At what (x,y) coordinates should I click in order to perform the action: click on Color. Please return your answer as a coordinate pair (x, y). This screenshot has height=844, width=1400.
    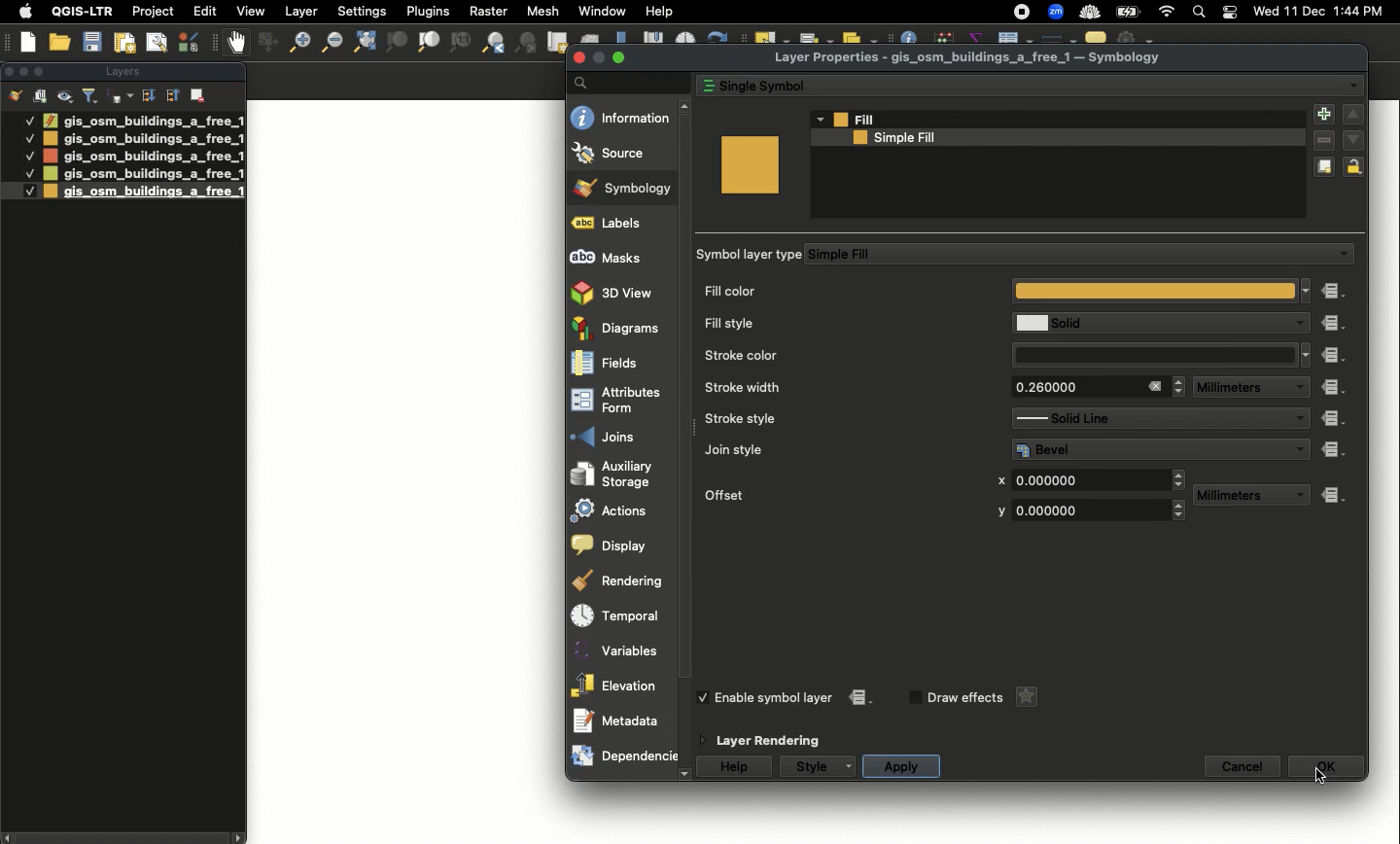
    Looking at the image, I should click on (750, 164).